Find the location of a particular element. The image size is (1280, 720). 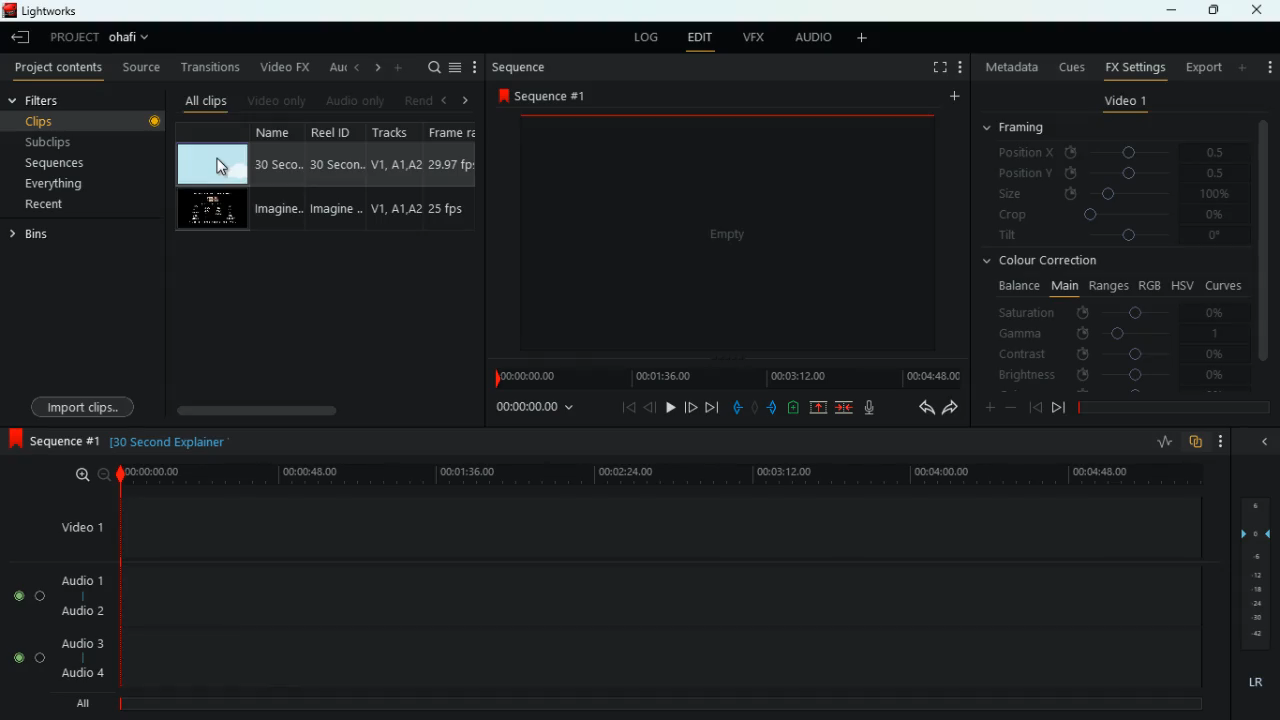

description is located at coordinates (170, 442).